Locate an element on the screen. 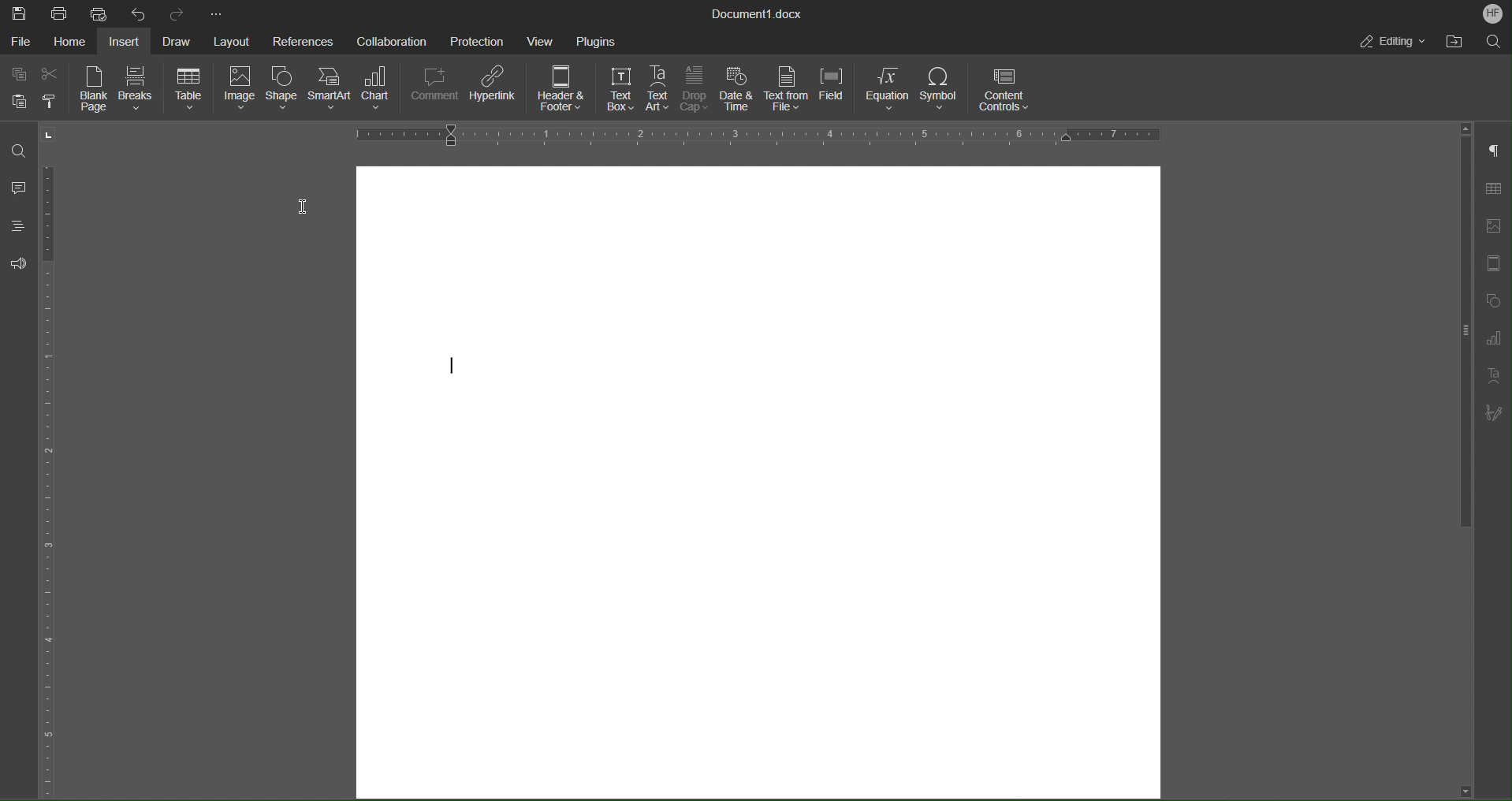 The image size is (1512, 801). Print  is located at coordinates (60, 12).